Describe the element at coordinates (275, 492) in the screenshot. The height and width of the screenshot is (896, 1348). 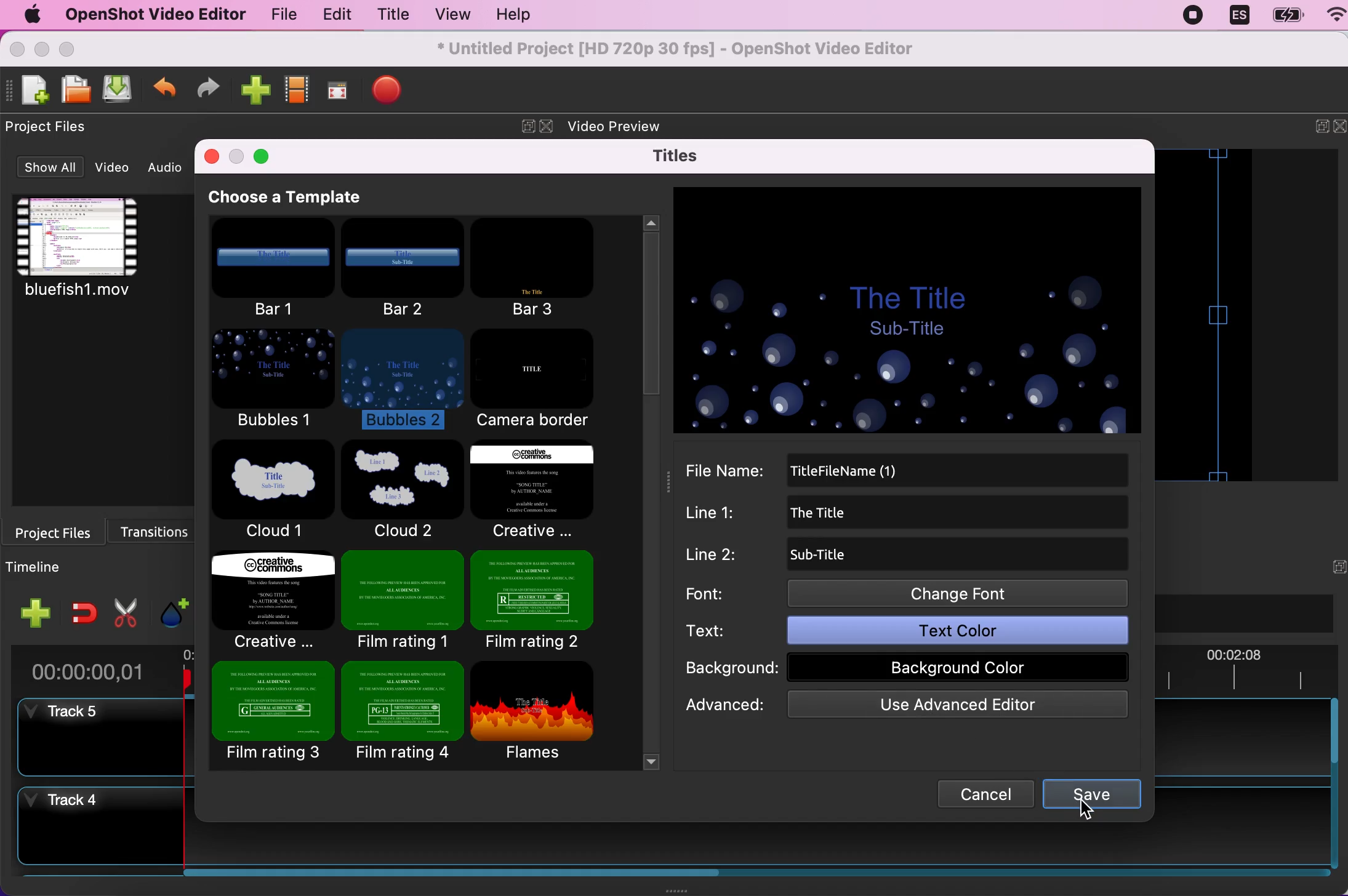
I see `cloud 1` at that location.